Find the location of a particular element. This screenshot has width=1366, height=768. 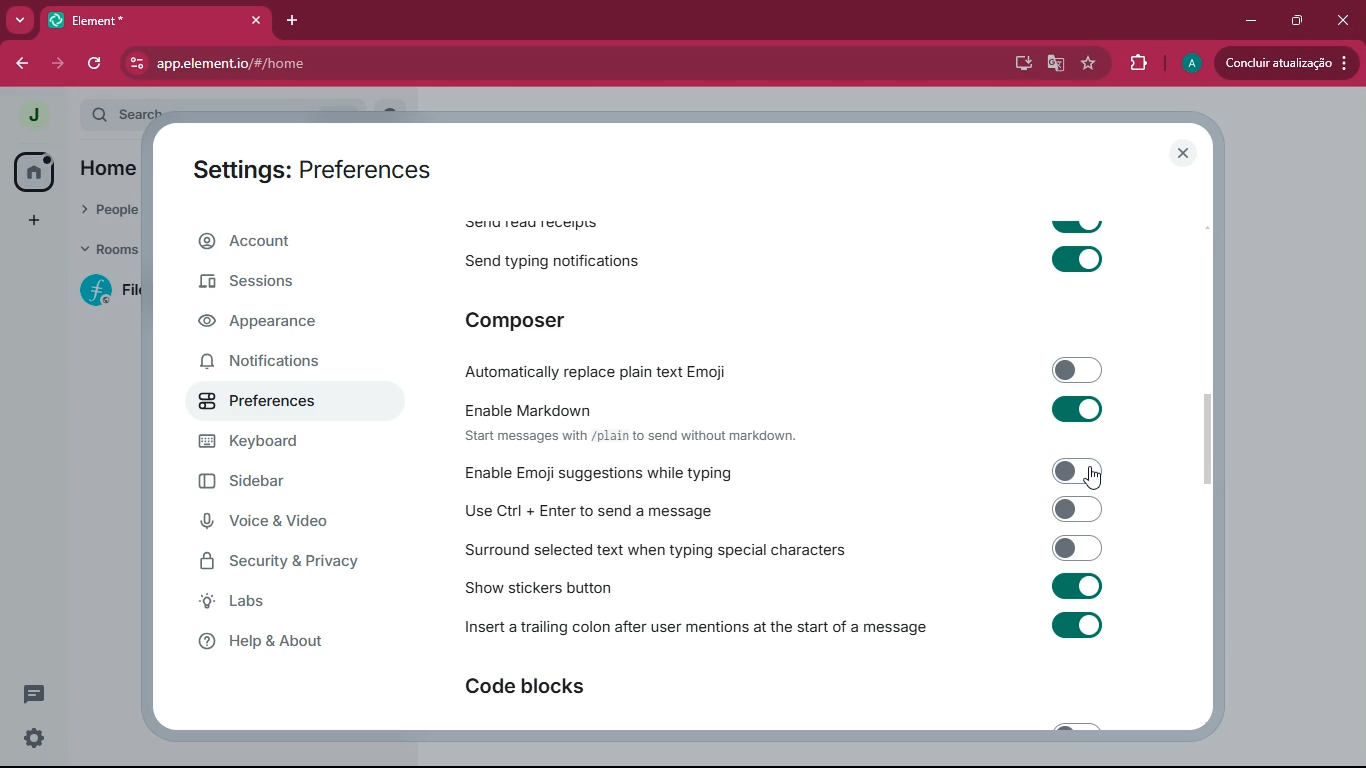

minimize is located at coordinates (1247, 21).